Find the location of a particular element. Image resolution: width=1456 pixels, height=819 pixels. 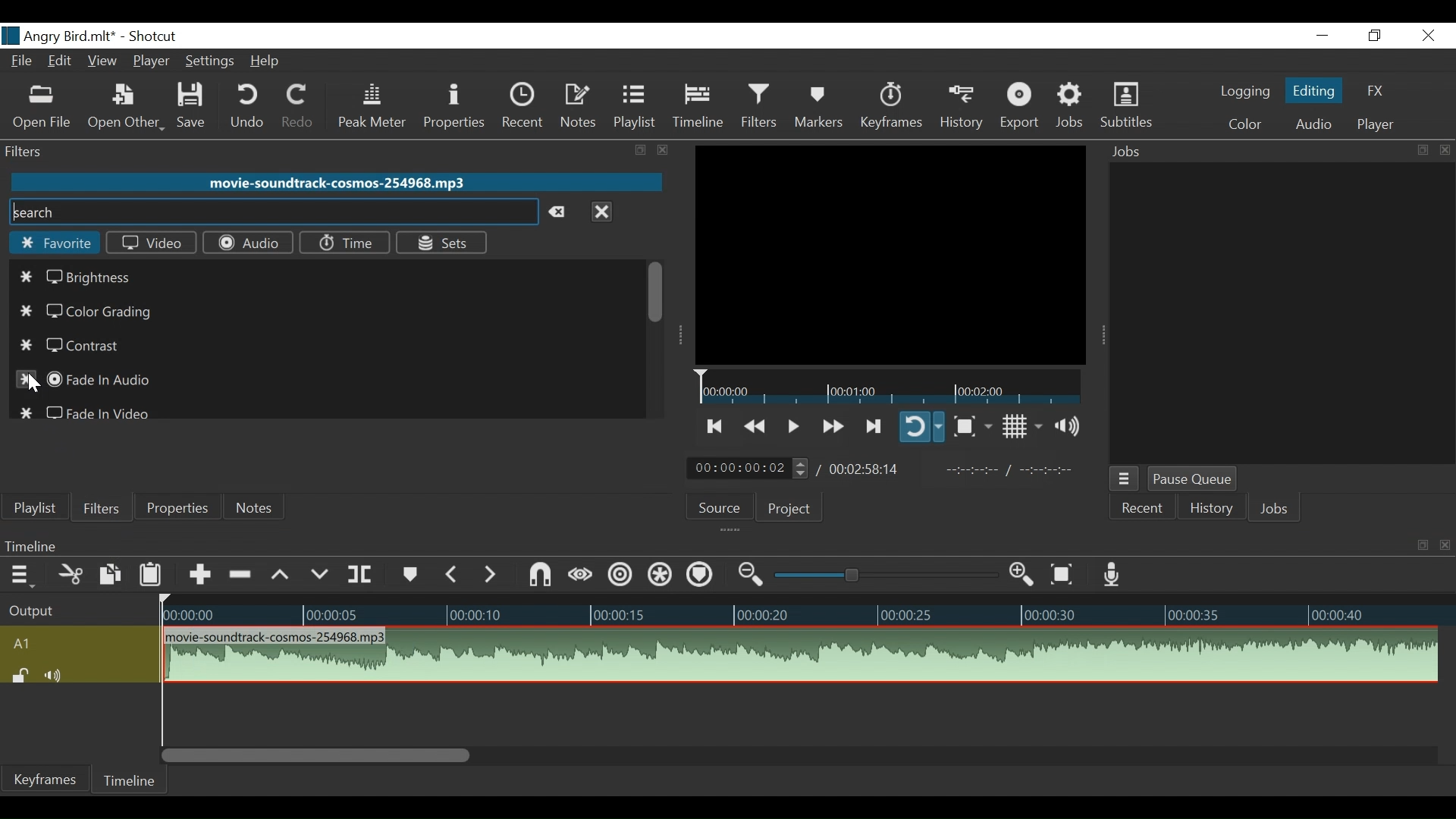

Notes is located at coordinates (580, 106).